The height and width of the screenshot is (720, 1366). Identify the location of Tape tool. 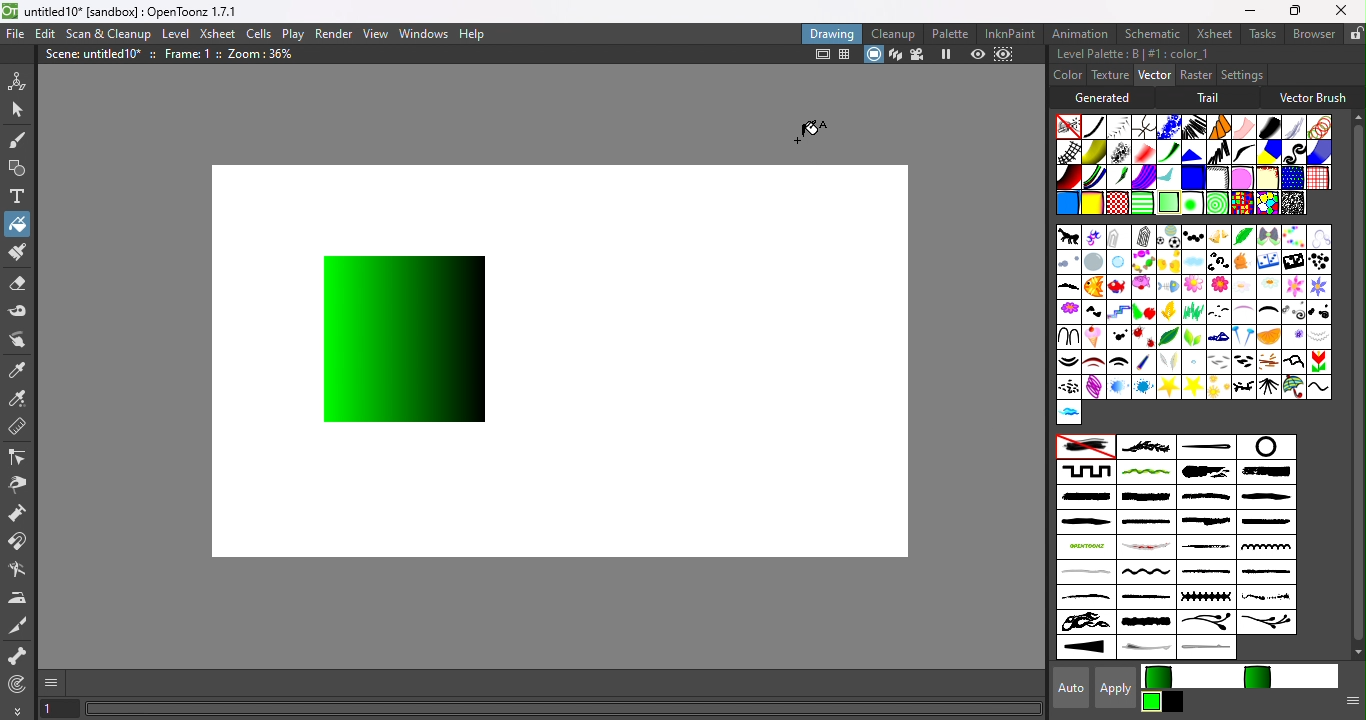
(19, 314).